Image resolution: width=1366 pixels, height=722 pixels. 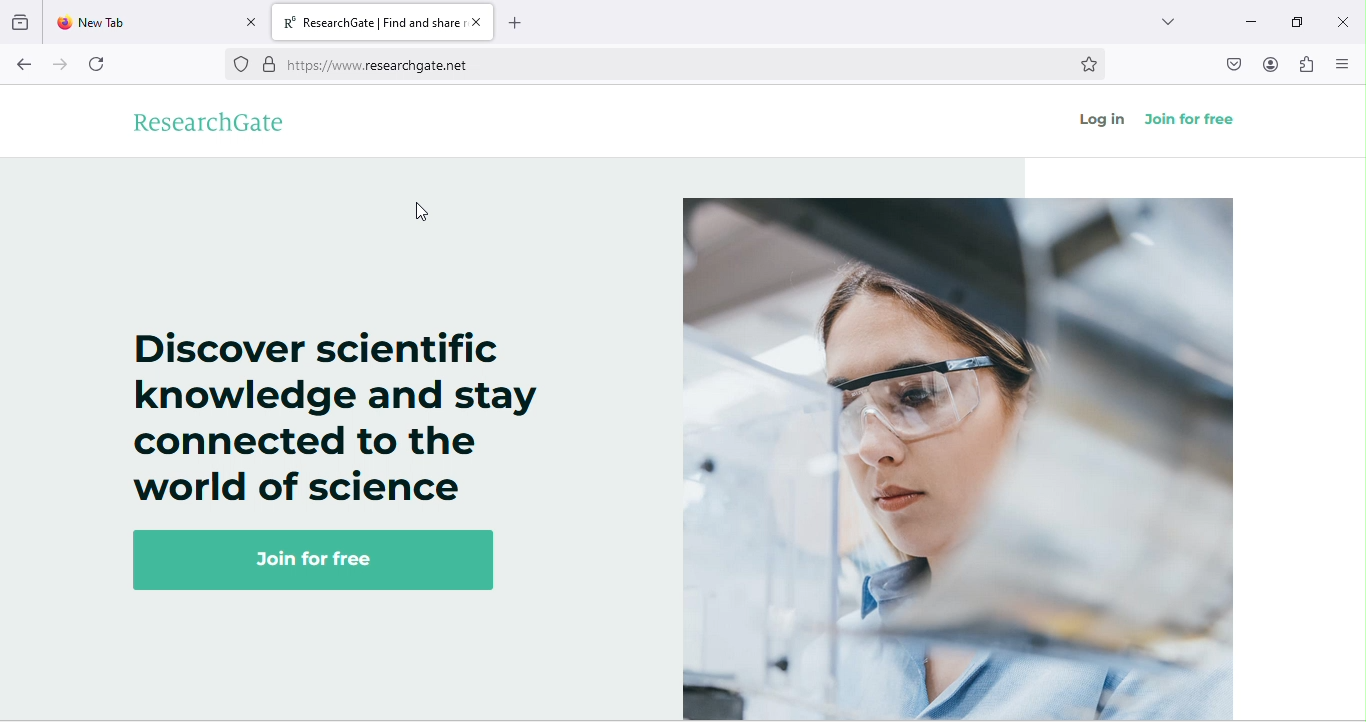 I want to click on close, so click(x=477, y=21).